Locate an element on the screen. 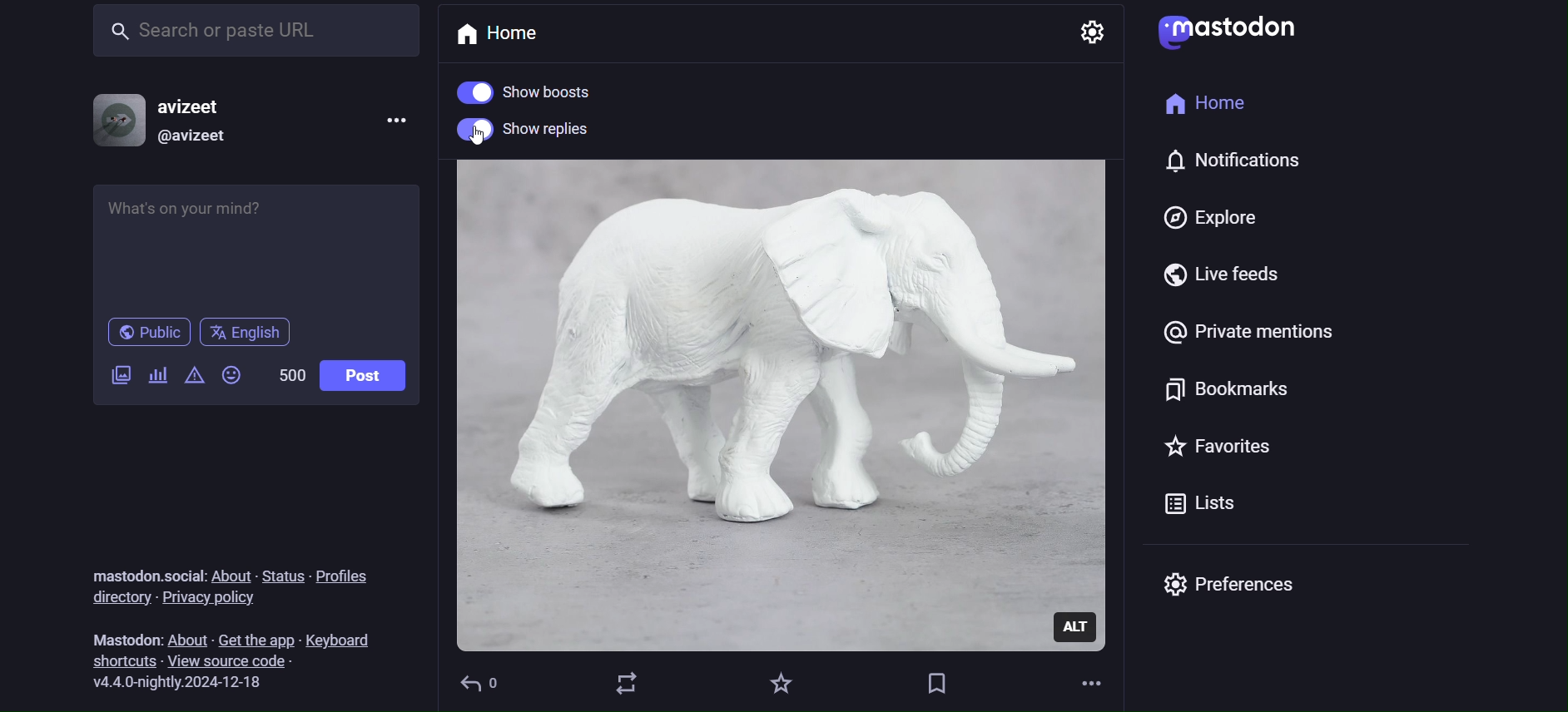  profiles is located at coordinates (353, 572).